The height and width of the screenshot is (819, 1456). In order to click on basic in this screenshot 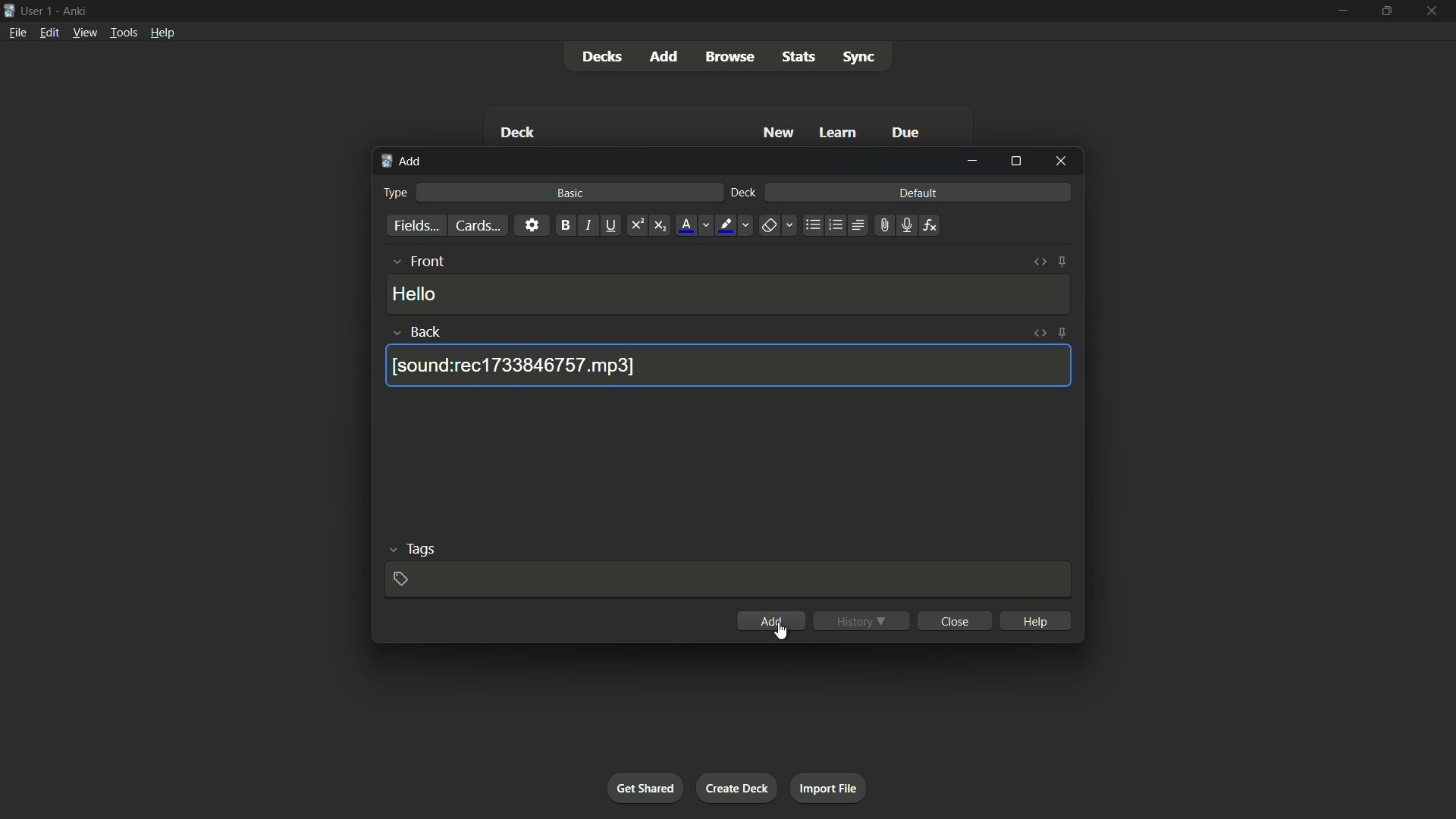, I will do `click(568, 193)`.